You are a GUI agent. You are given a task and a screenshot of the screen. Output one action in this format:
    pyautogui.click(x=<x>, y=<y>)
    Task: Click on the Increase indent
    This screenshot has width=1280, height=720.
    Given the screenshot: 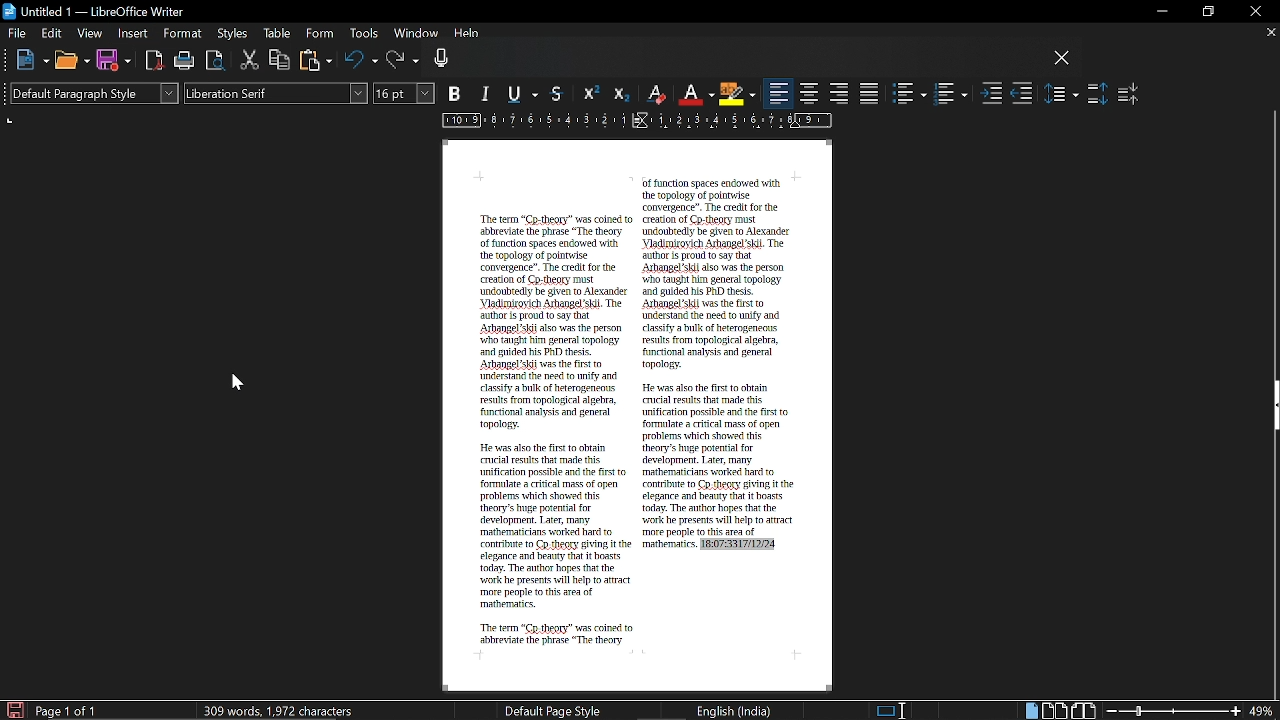 What is the action you would take?
    pyautogui.click(x=992, y=95)
    